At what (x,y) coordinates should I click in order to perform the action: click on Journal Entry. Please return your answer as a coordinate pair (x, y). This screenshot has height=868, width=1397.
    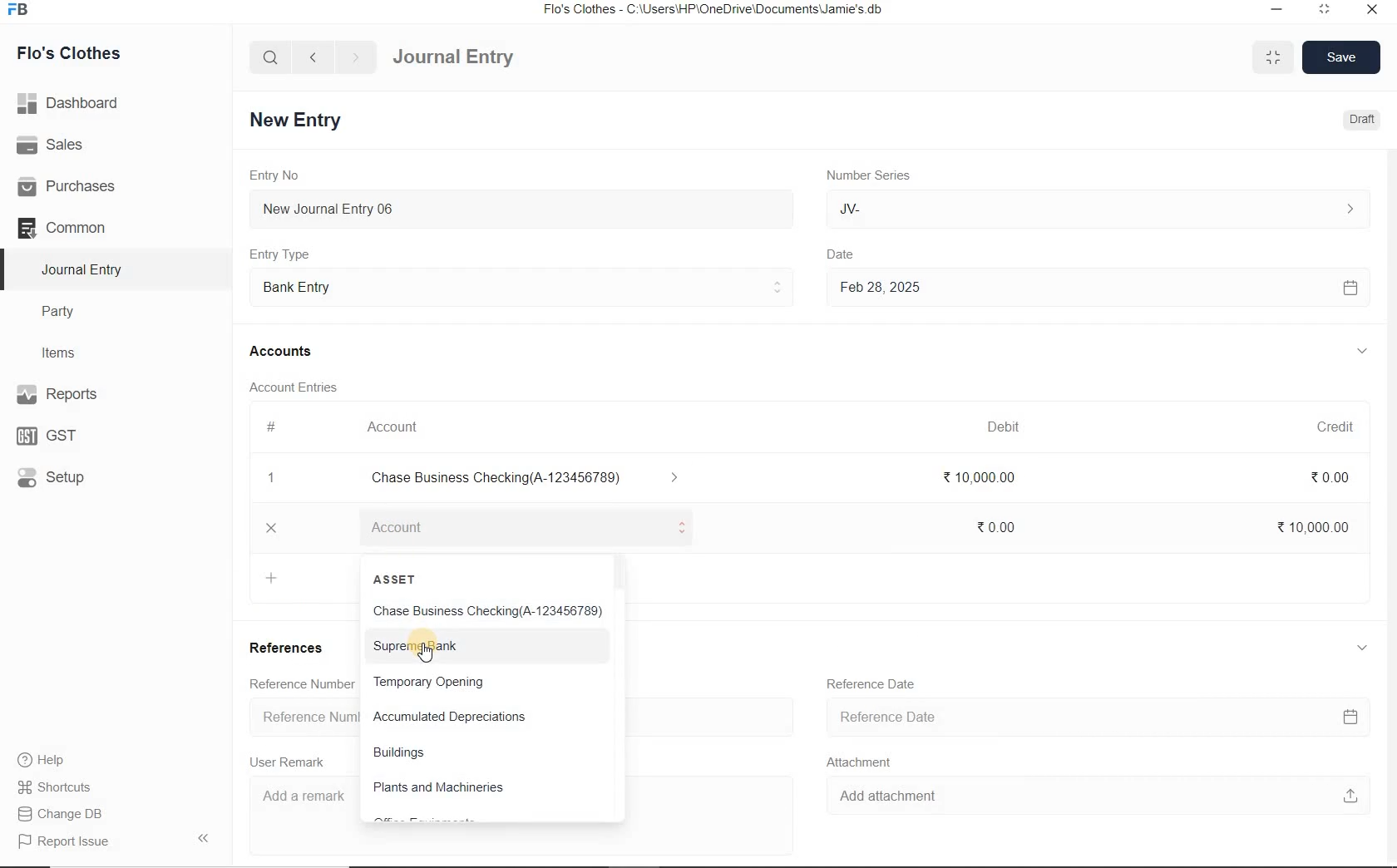
    Looking at the image, I should click on (84, 269).